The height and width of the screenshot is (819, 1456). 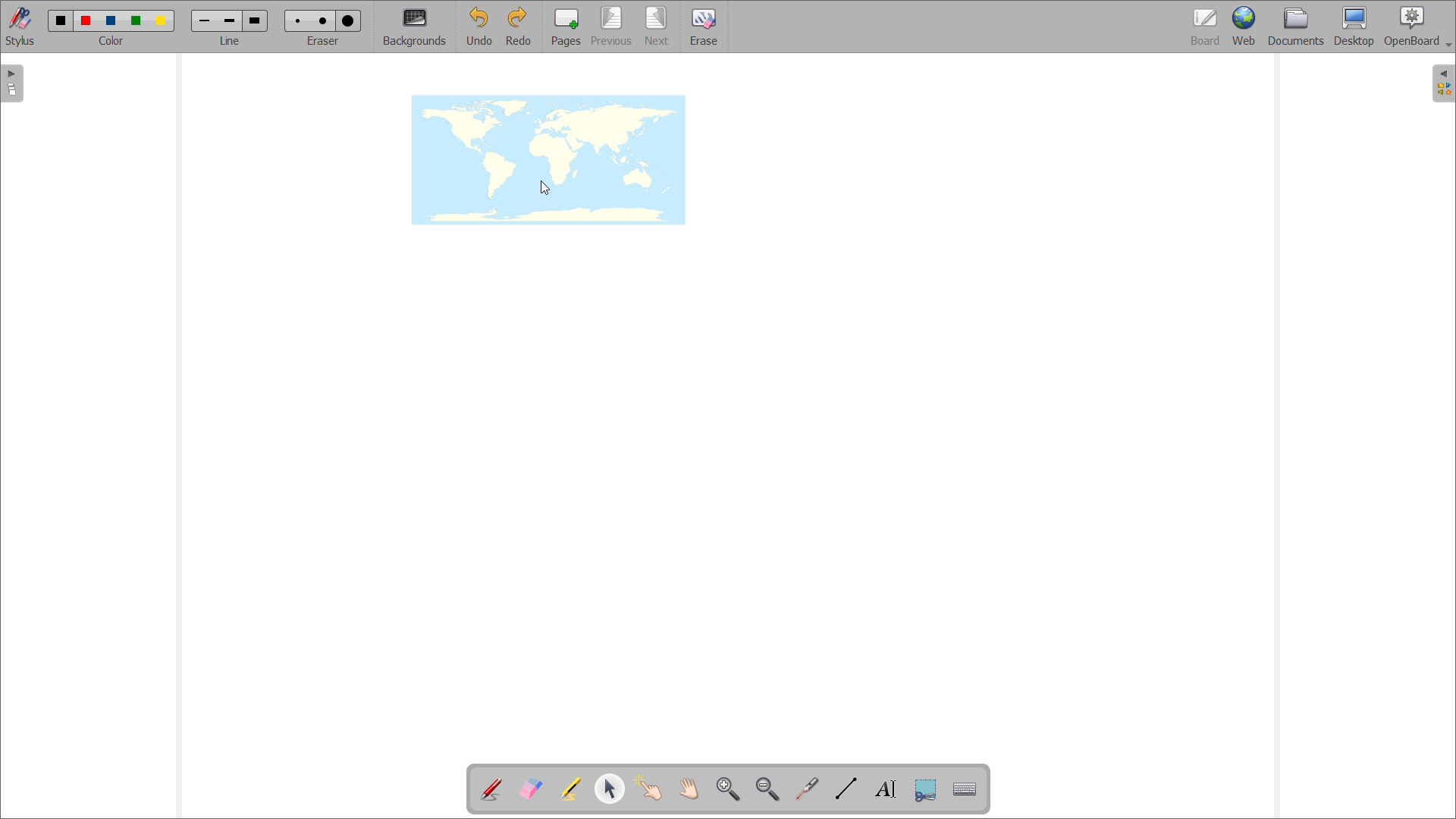 I want to click on medium, so click(x=325, y=21).